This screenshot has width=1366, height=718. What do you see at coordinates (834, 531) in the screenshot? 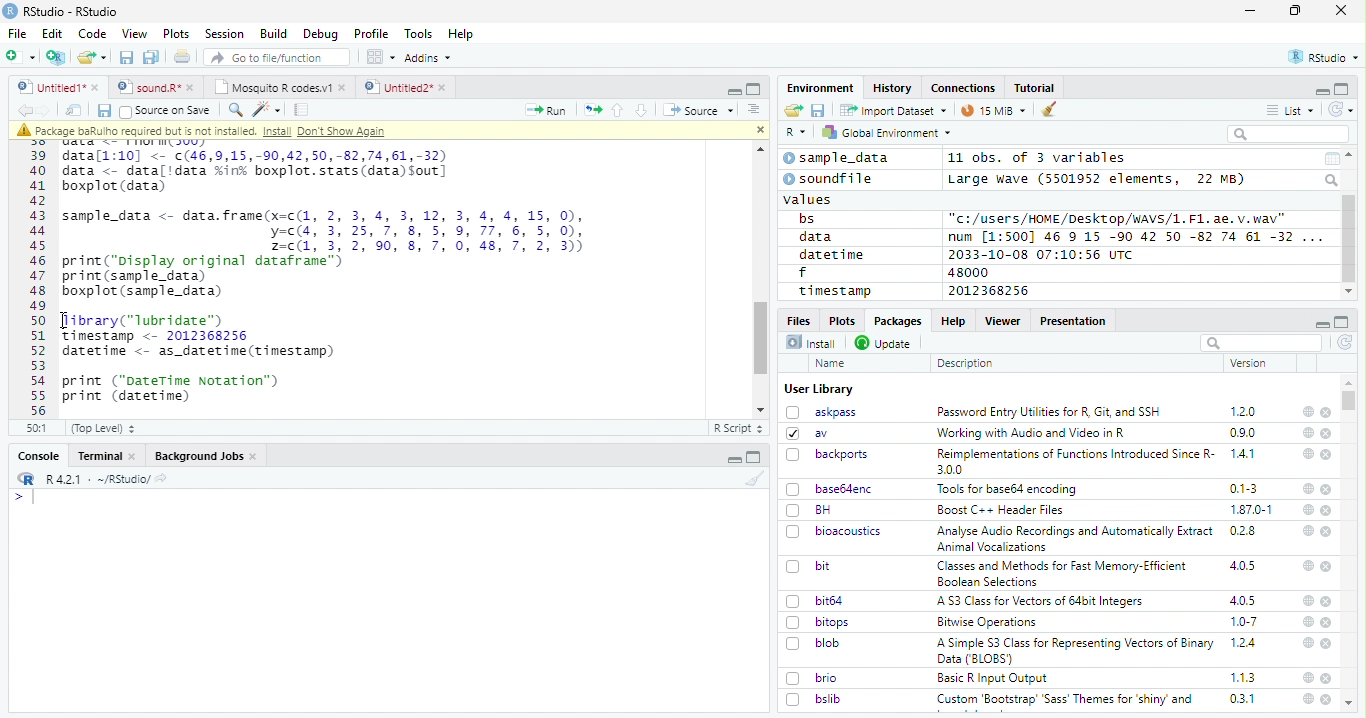
I see `bioacoustics` at bounding box center [834, 531].